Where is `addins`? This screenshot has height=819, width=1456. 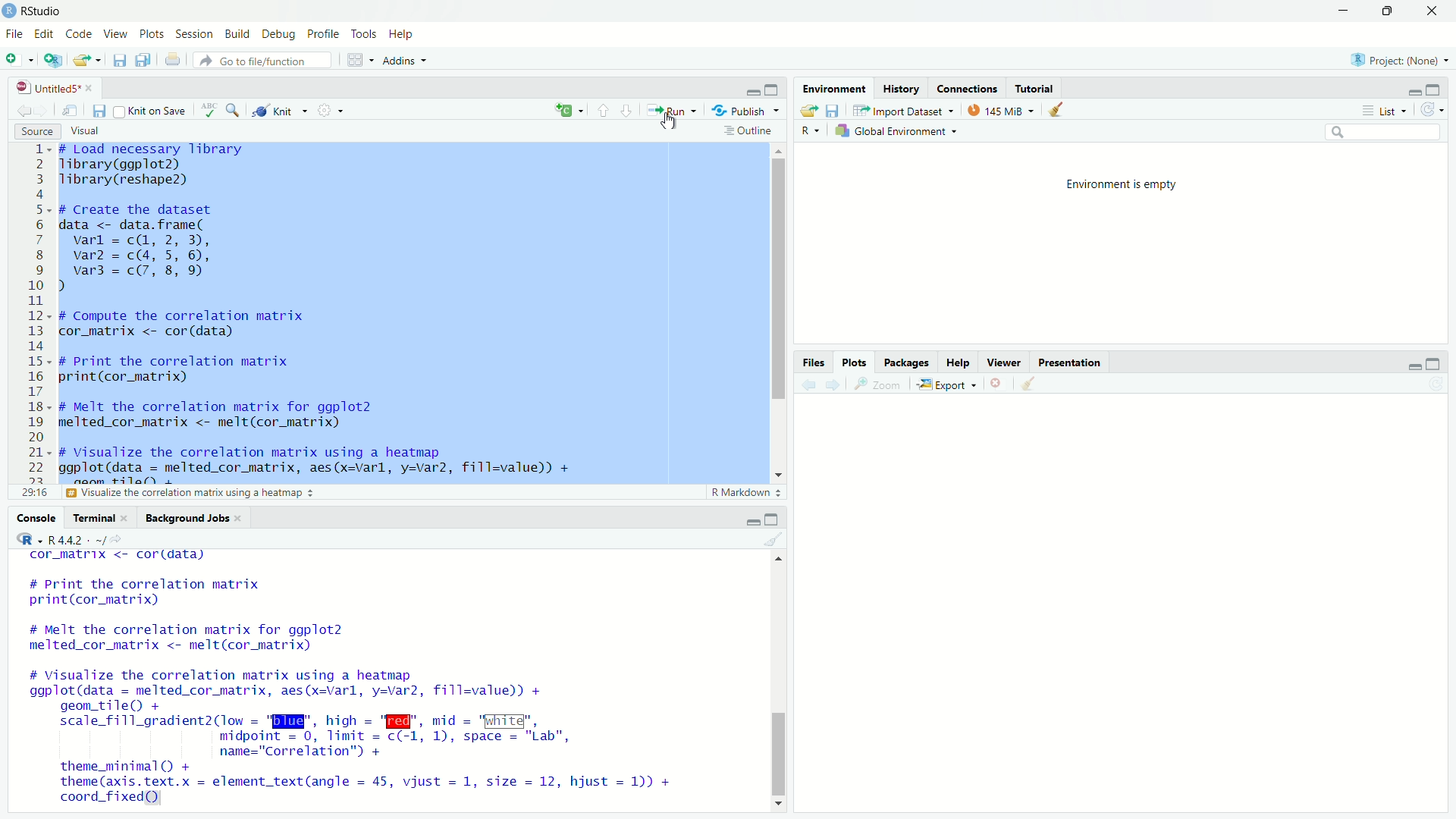
addins is located at coordinates (405, 60).